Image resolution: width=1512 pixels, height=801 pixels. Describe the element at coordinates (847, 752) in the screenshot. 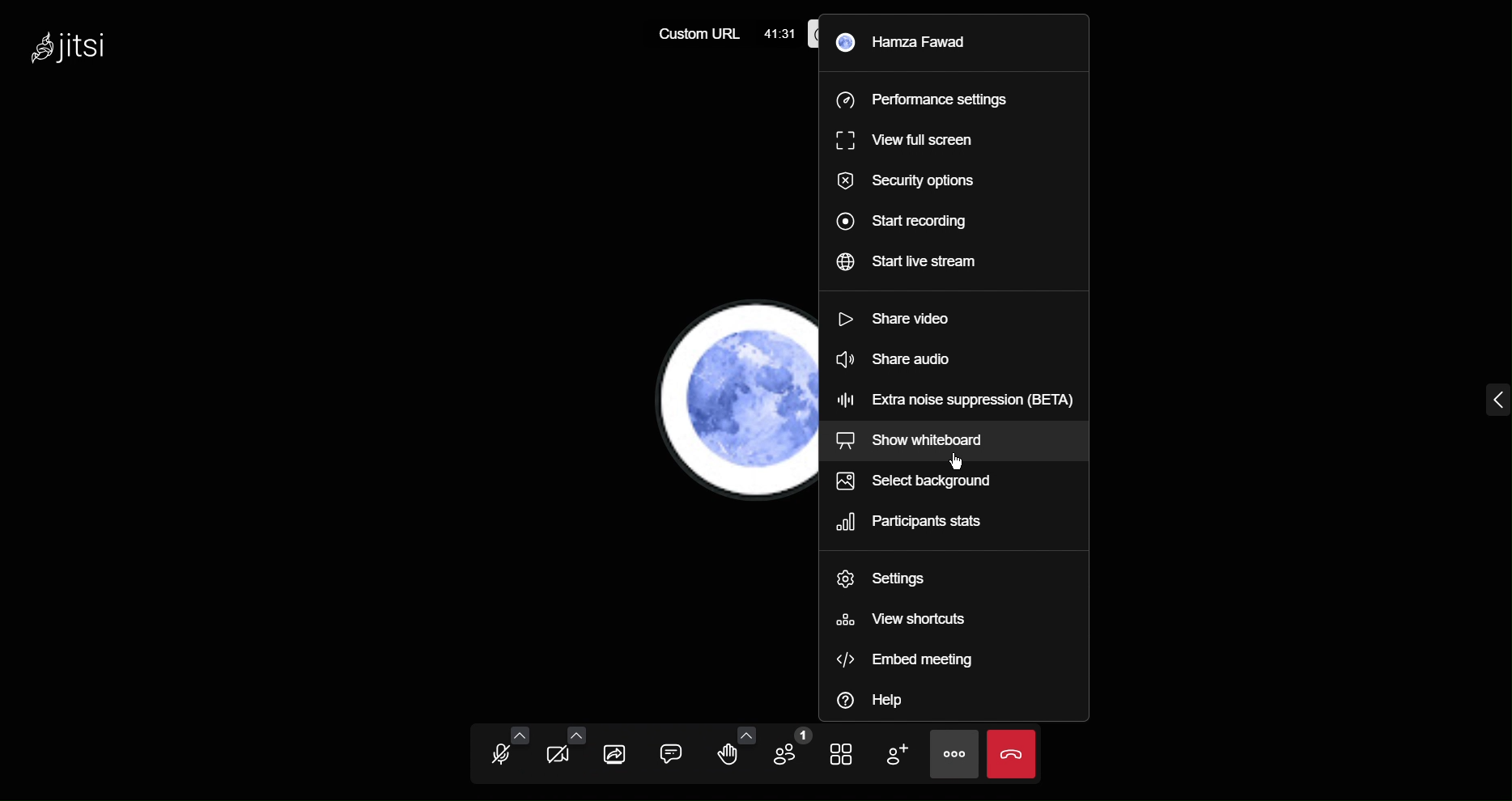

I see `Tile View` at that location.